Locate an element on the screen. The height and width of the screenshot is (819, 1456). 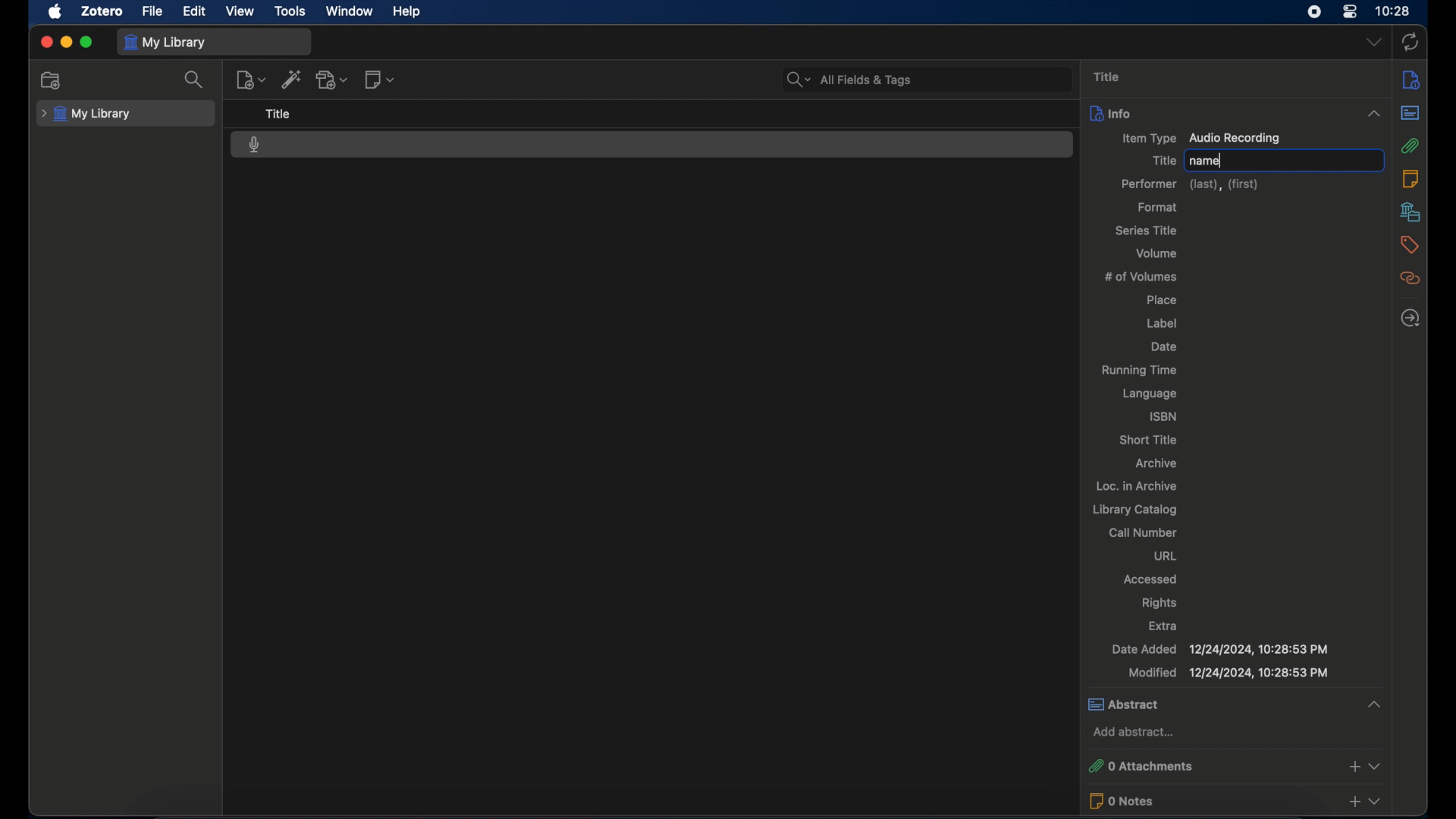
language is located at coordinates (1152, 395).